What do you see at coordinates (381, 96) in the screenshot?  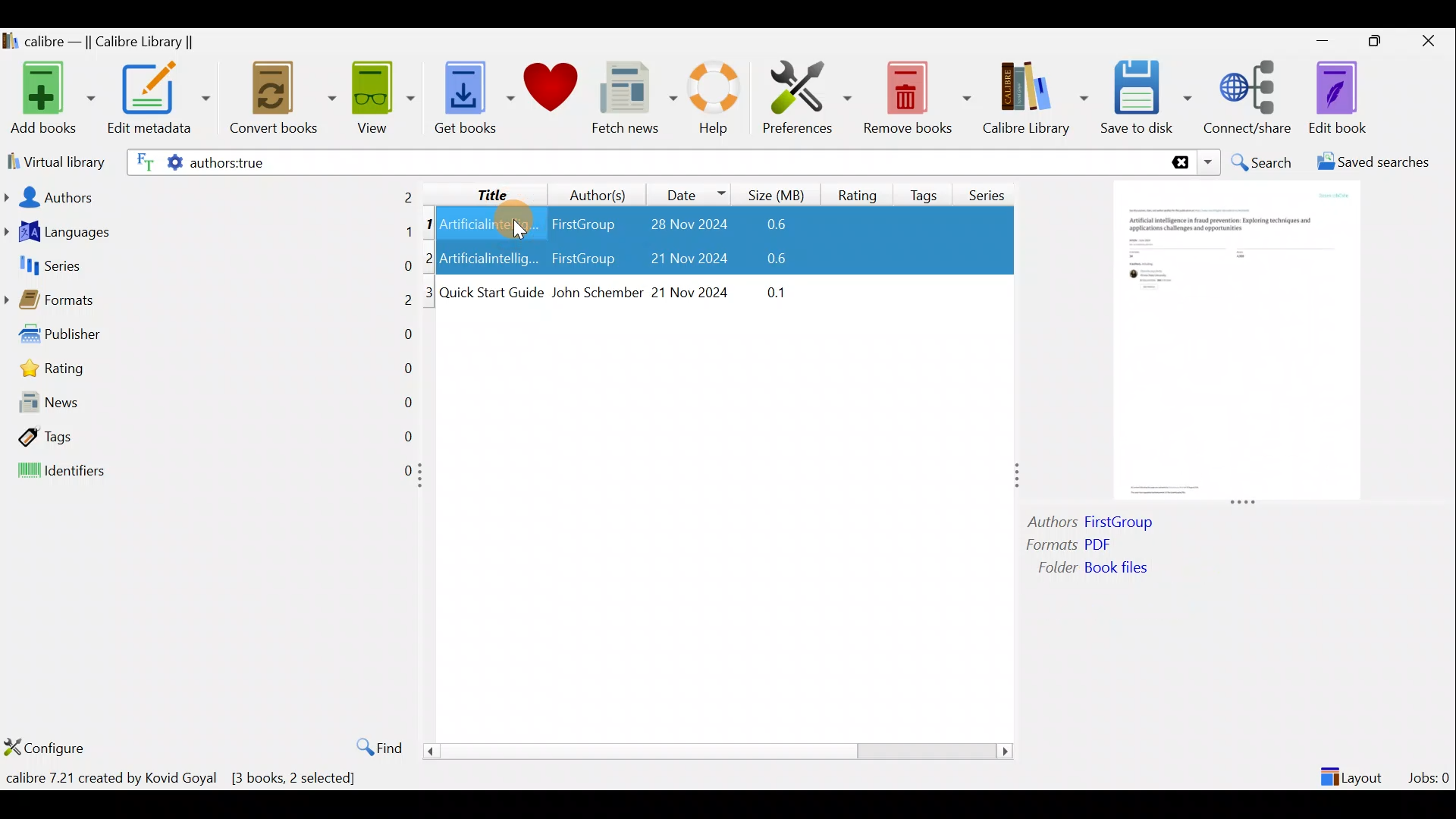 I see `View` at bounding box center [381, 96].